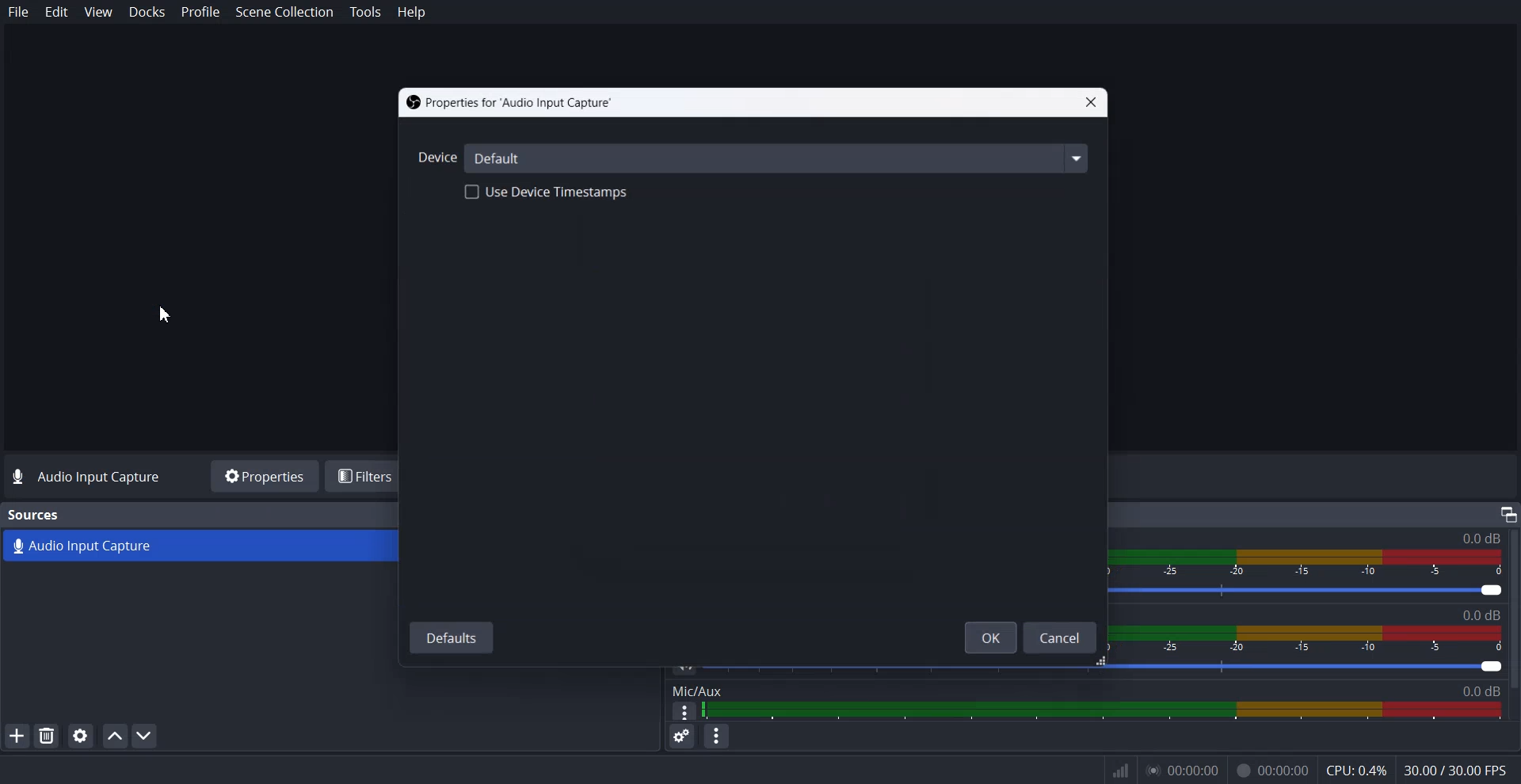  I want to click on Move Source down, so click(145, 735).